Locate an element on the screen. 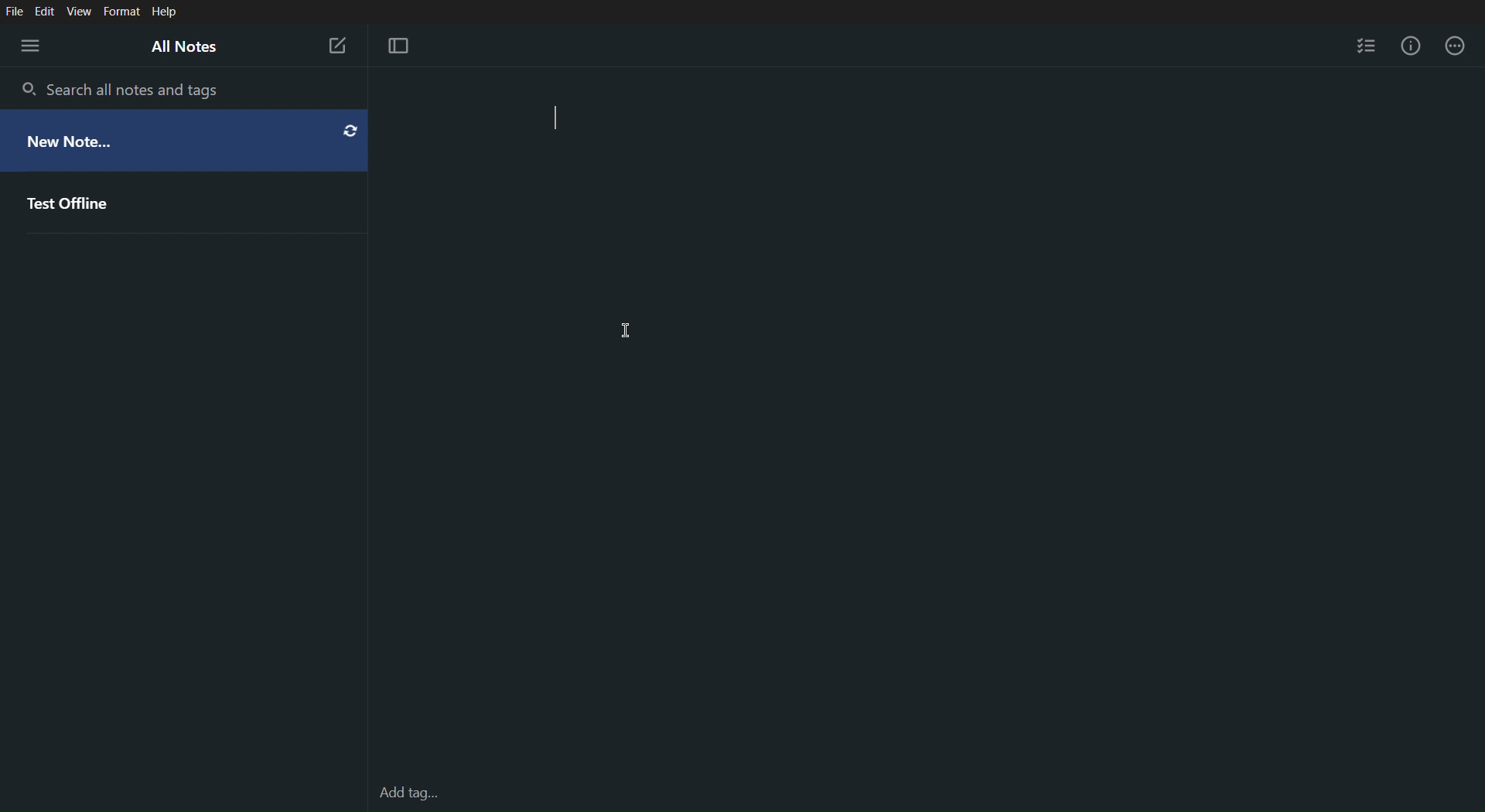 This screenshot has height=812, width=1485. Text (selected) is located at coordinates (592, 120).